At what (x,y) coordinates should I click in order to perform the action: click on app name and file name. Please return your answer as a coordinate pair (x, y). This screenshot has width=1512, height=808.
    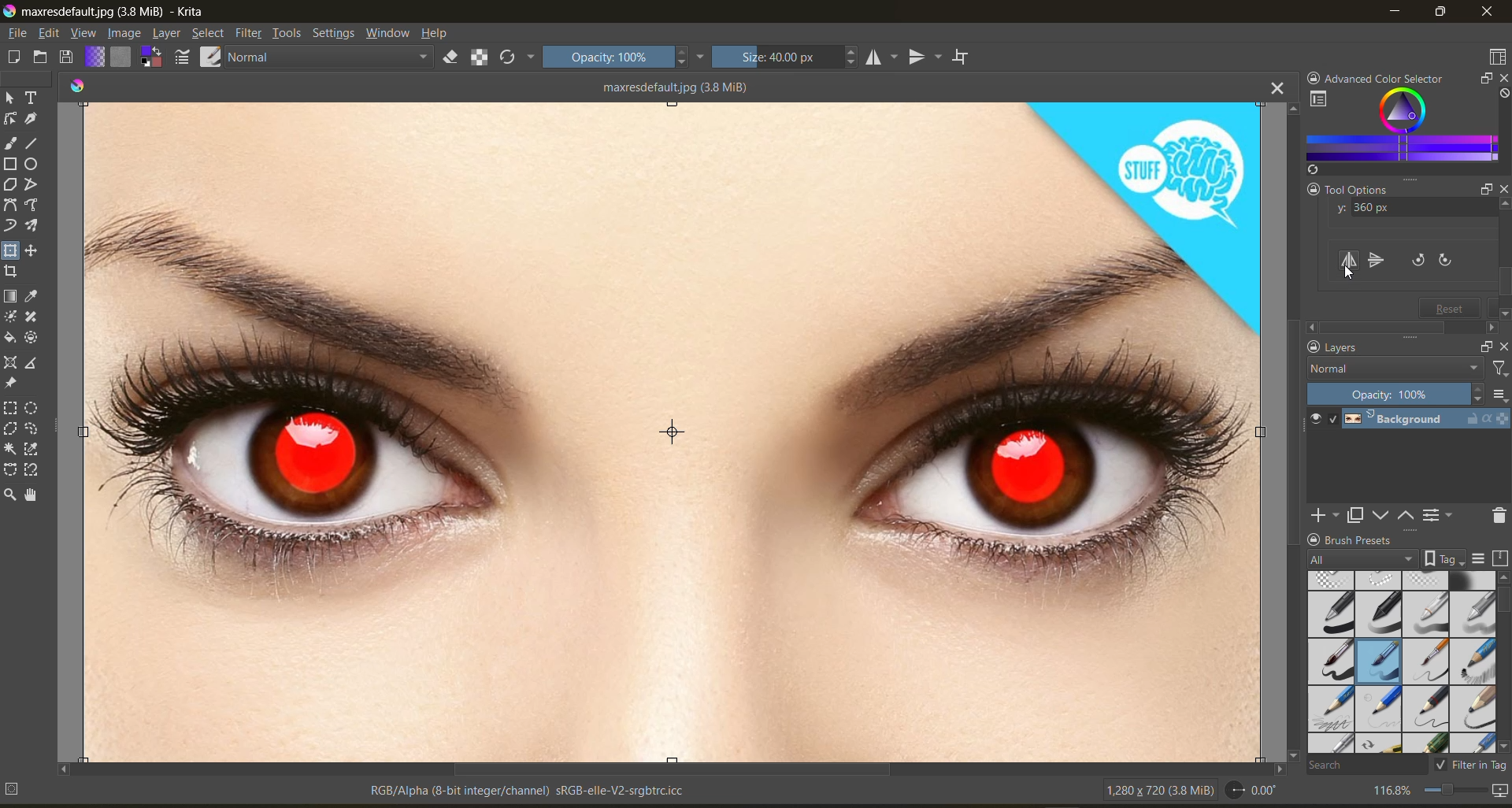
    Looking at the image, I should click on (112, 13).